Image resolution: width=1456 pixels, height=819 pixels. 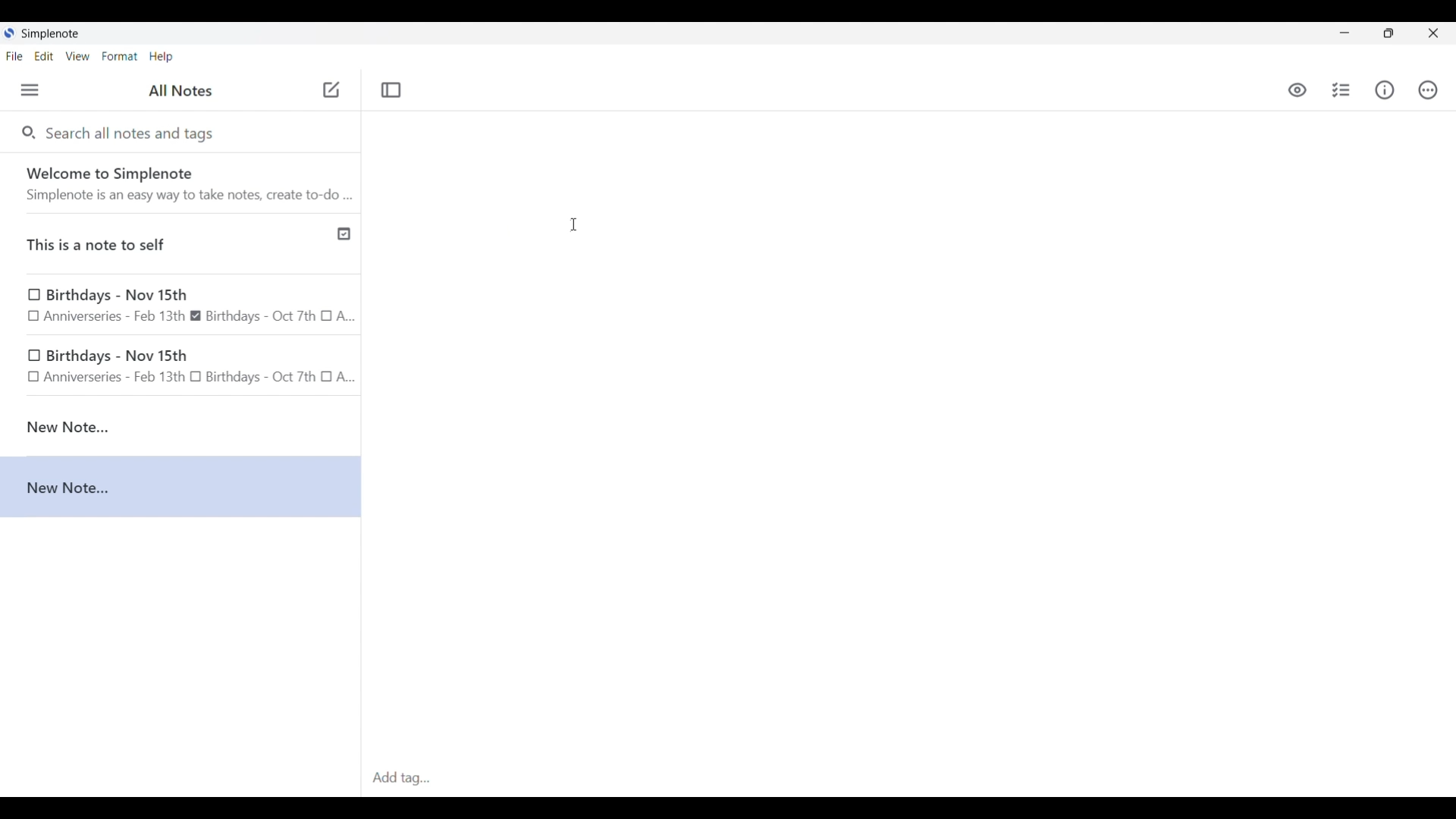 I want to click on Toggle to see markdown preview, so click(x=1298, y=90).